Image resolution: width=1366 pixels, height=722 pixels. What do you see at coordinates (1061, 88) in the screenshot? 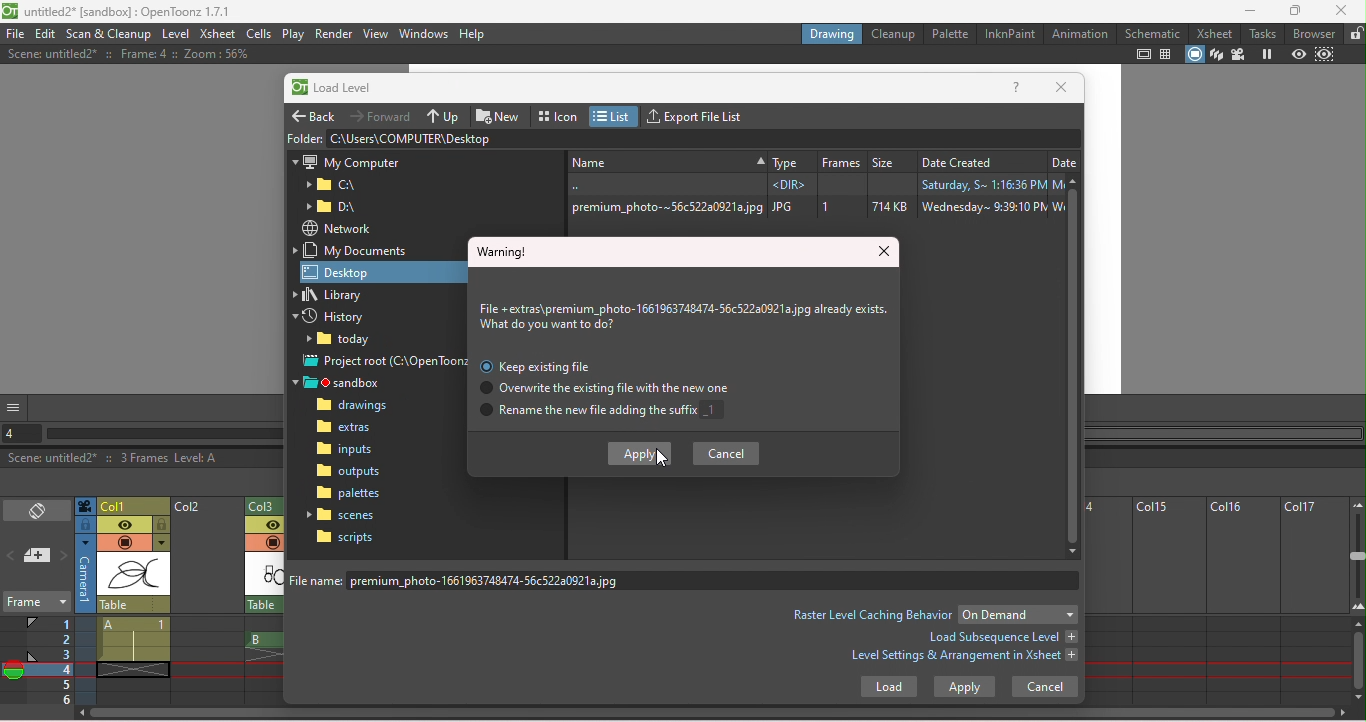
I see `Close` at bounding box center [1061, 88].